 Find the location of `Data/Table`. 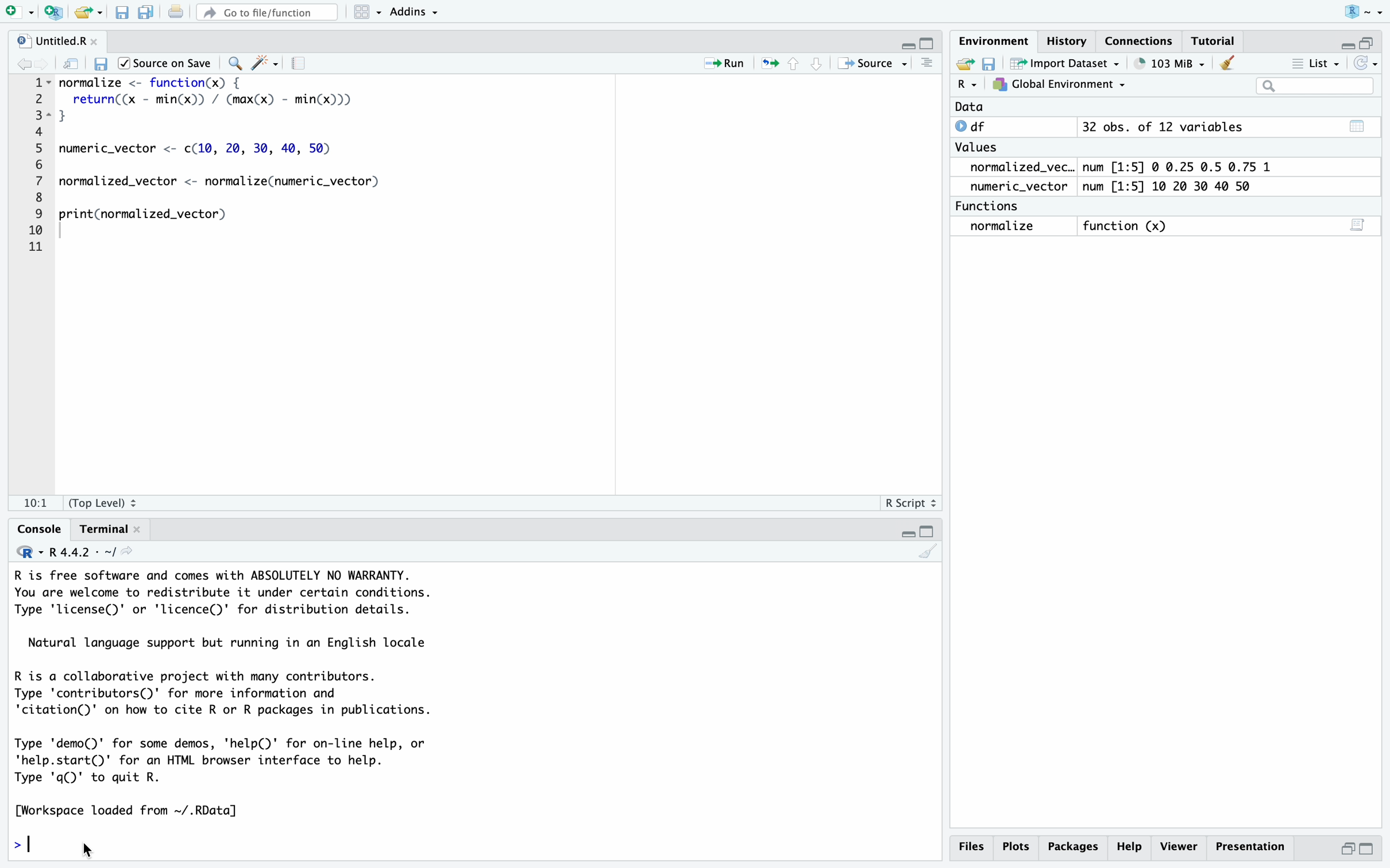

Data/Table is located at coordinates (1355, 124).